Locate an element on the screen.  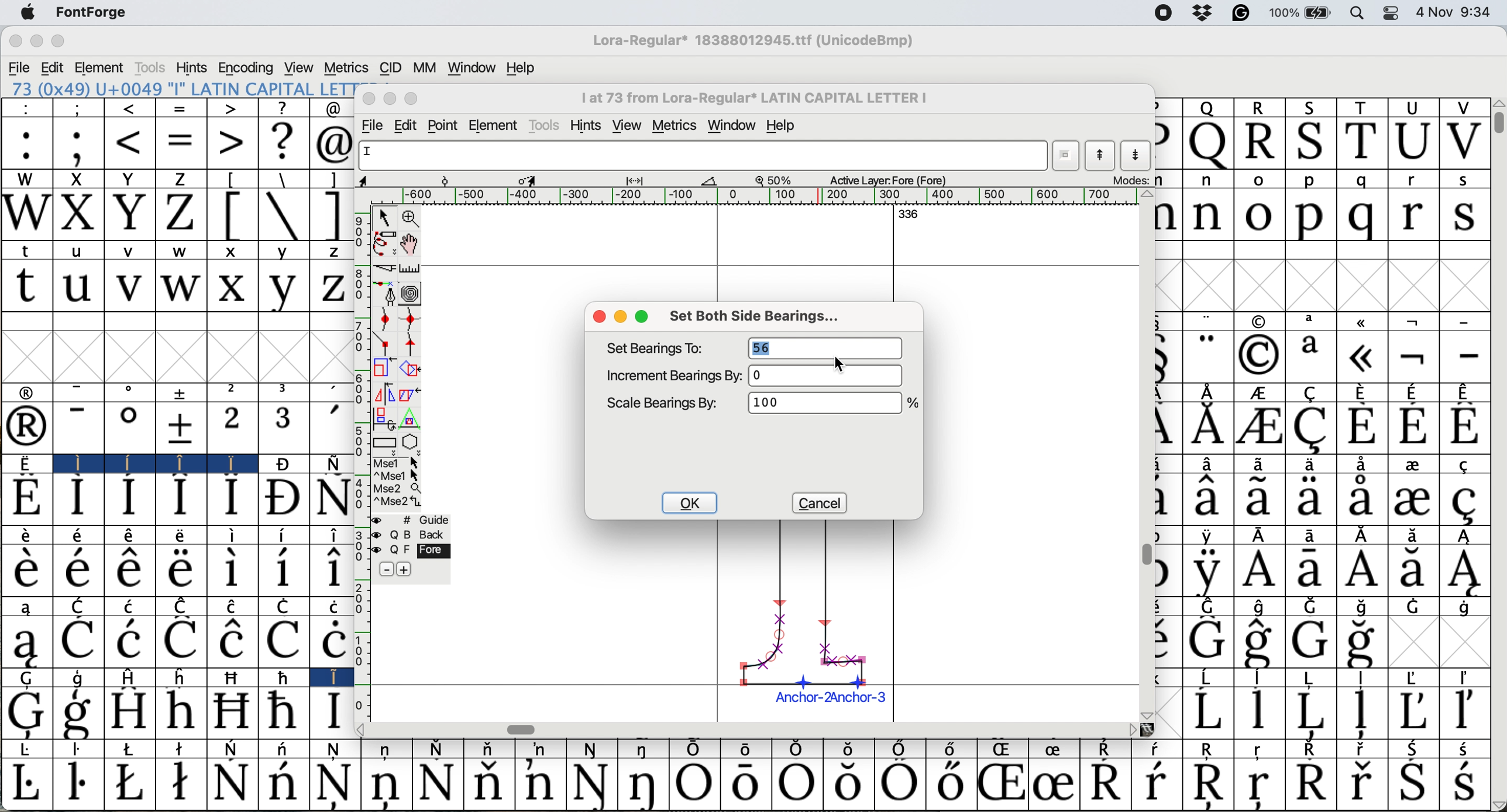
drop box is located at coordinates (1203, 14).